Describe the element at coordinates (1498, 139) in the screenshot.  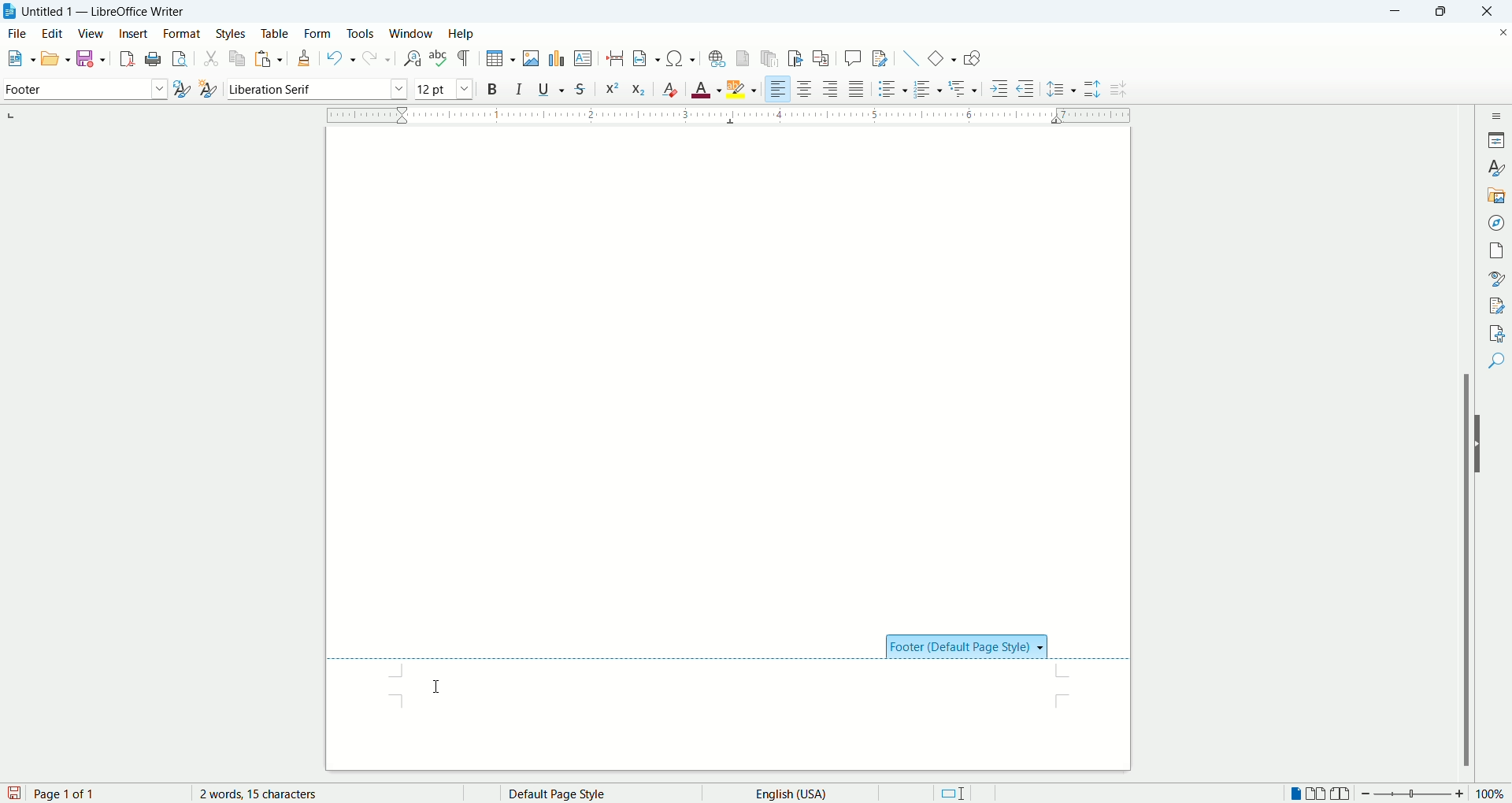
I see `properties` at that location.